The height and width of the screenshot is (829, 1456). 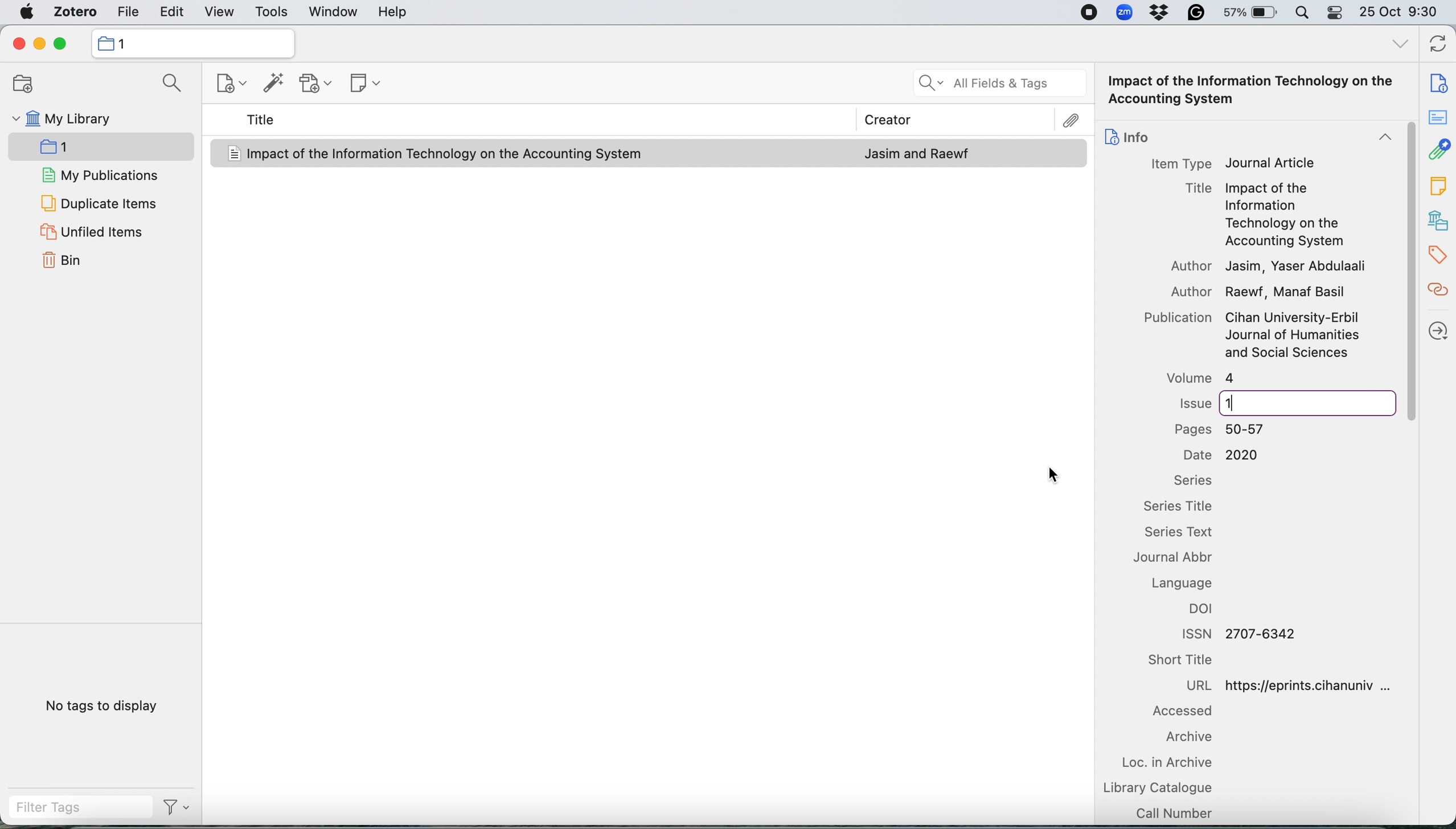 What do you see at coordinates (1298, 684) in the screenshot?
I see `url` at bounding box center [1298, 684].